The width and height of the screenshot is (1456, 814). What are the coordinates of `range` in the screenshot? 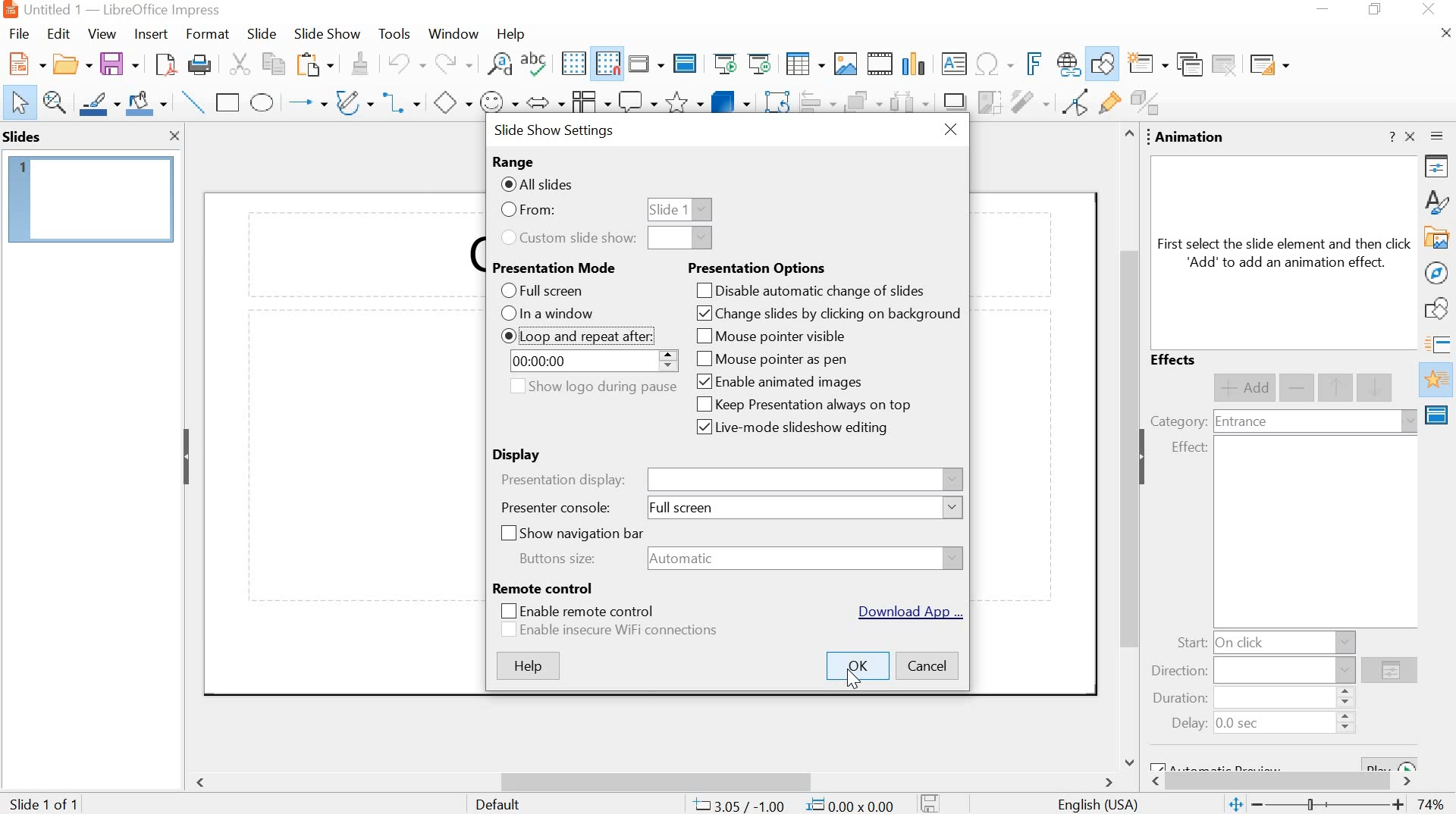 It's located at (513, 161).